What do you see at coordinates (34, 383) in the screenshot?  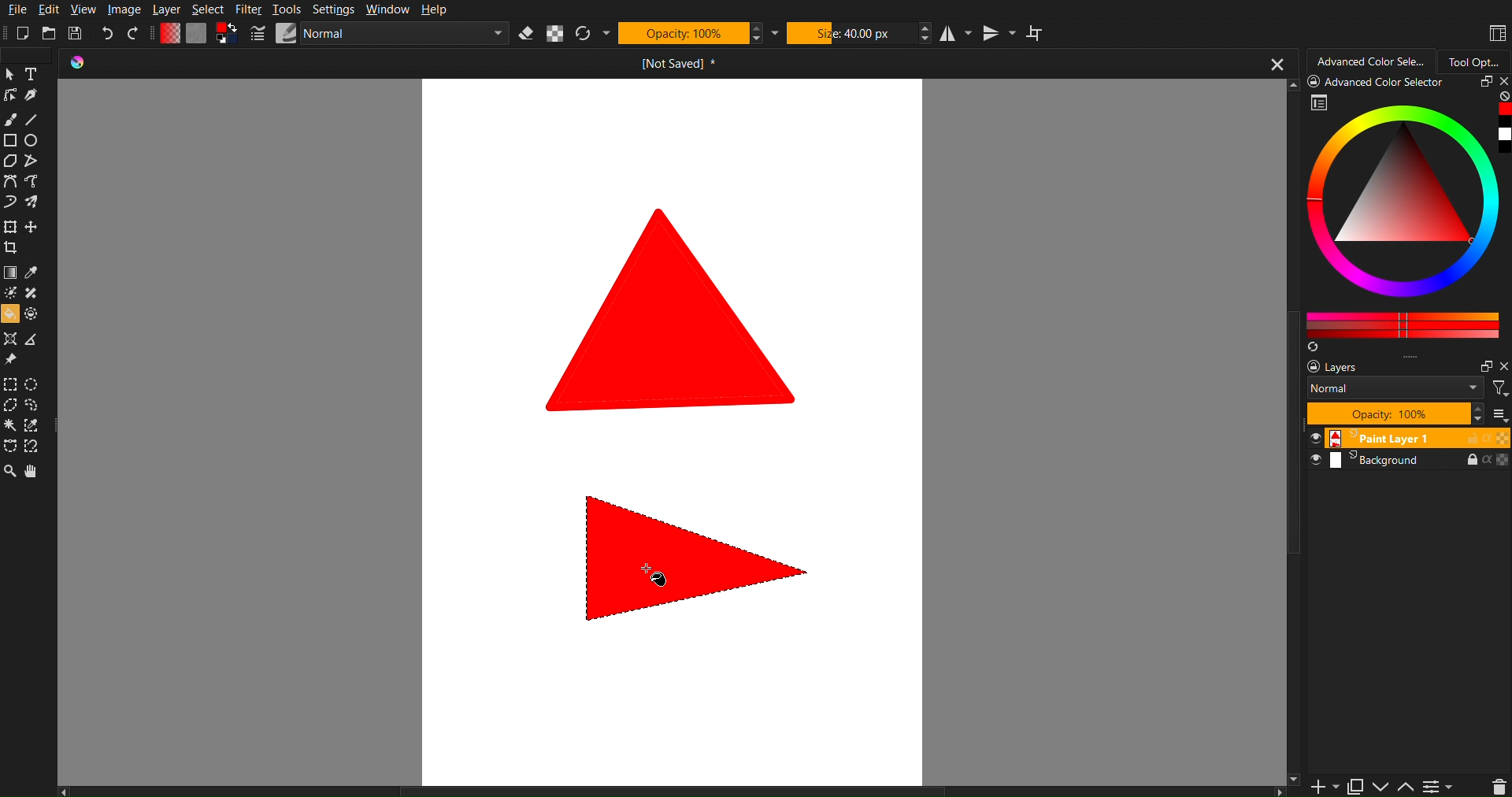 I see `Selection Square ` at bounding box center [34, 383].